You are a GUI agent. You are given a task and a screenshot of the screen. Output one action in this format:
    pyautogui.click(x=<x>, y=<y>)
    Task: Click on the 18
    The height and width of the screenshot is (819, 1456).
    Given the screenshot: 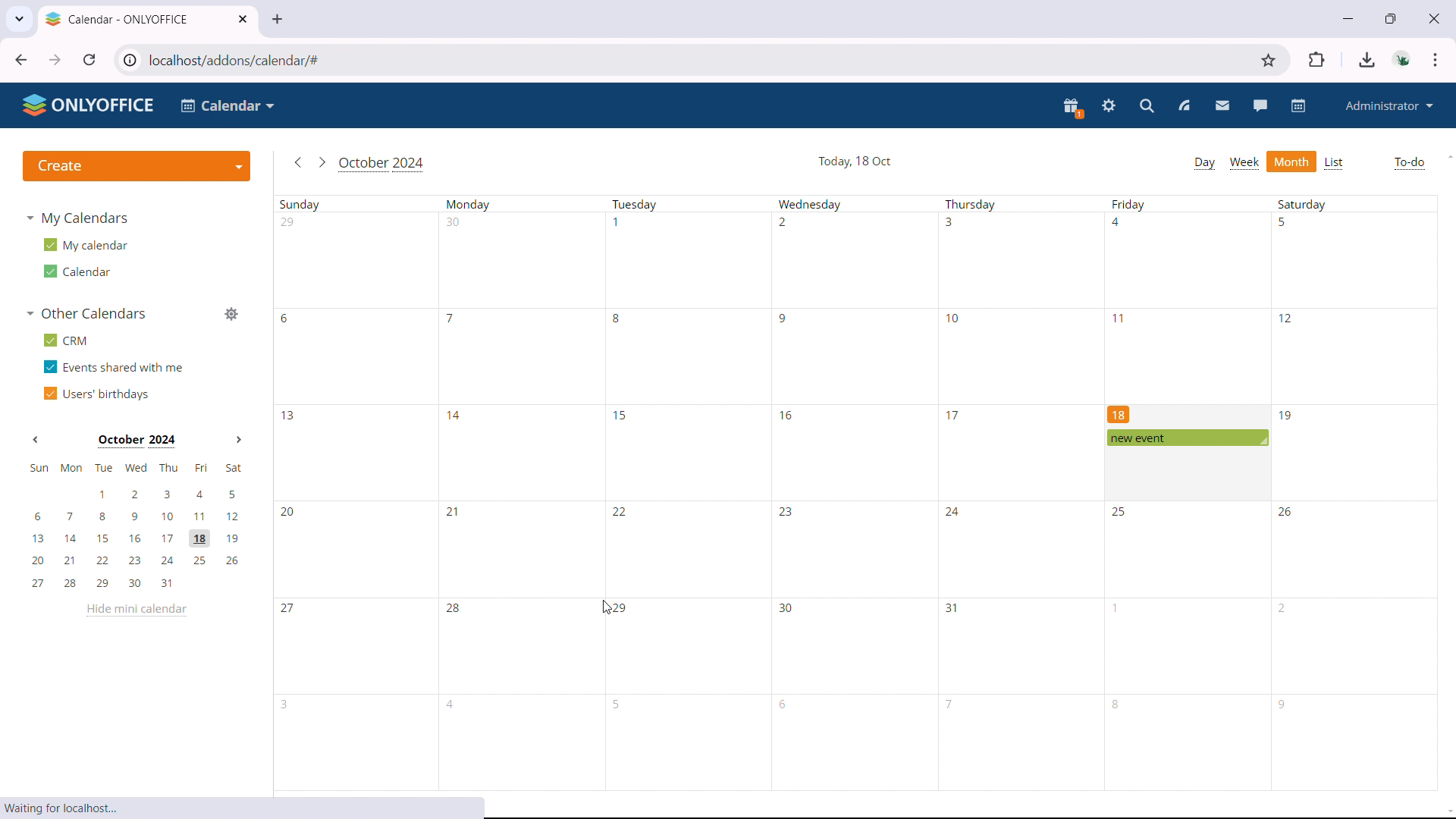 What is the action you would take?
    pyautogui.click(x=1119, y=413)
    